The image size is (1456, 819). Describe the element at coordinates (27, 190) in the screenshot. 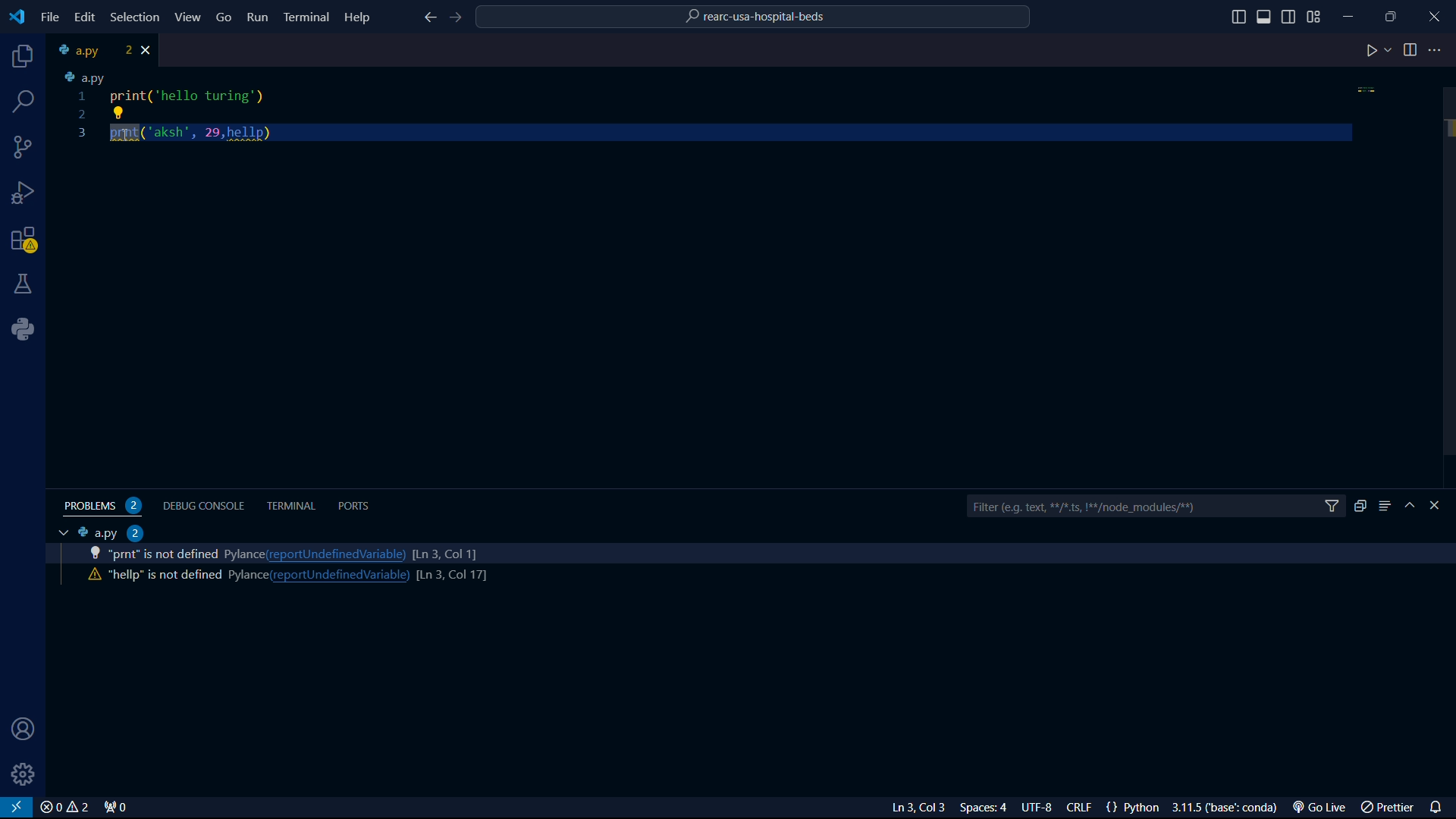

I see `bug` at that location.